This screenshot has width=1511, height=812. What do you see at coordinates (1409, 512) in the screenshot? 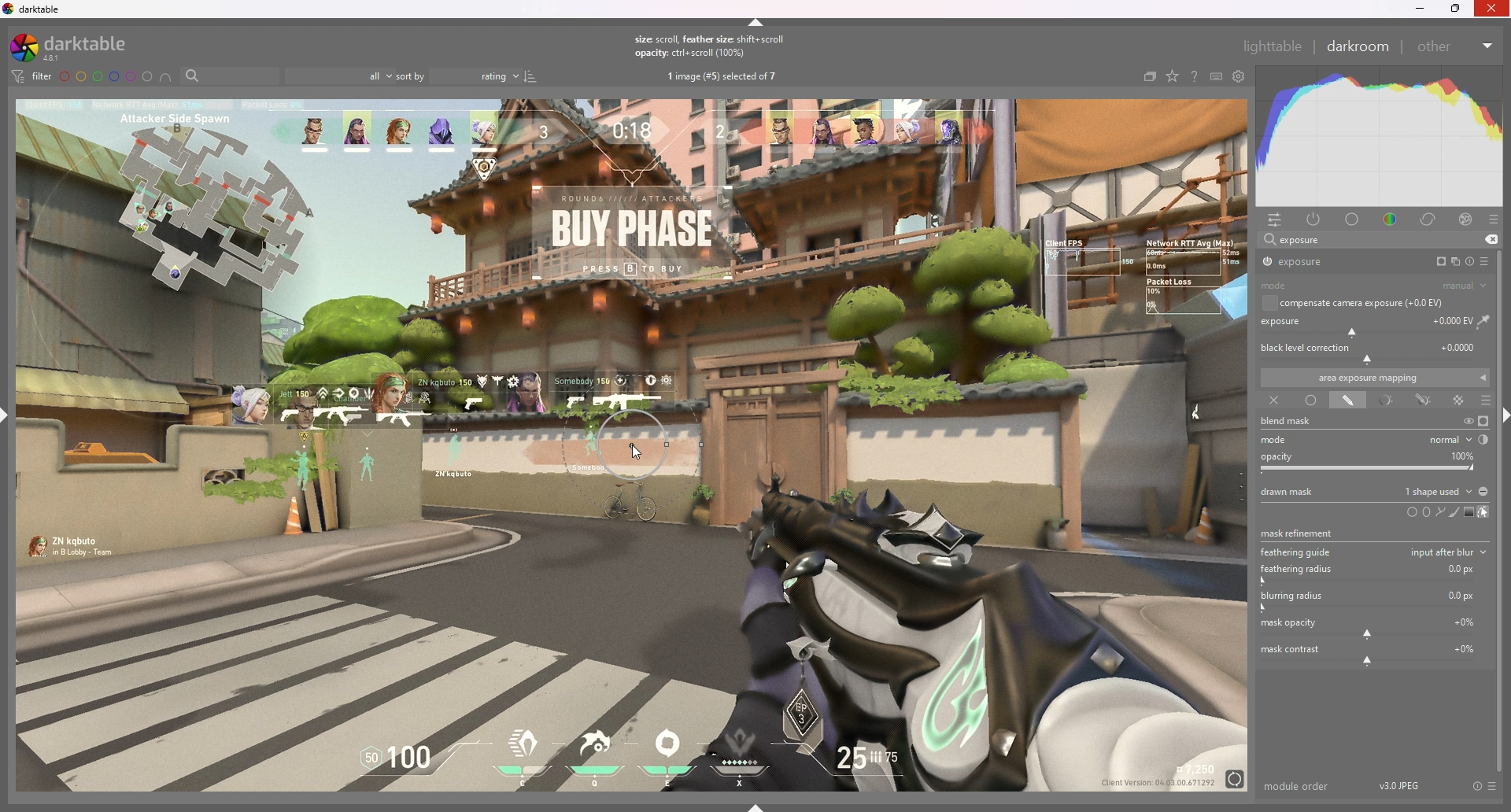
I see `circle` at bounding box center [1409, 512].